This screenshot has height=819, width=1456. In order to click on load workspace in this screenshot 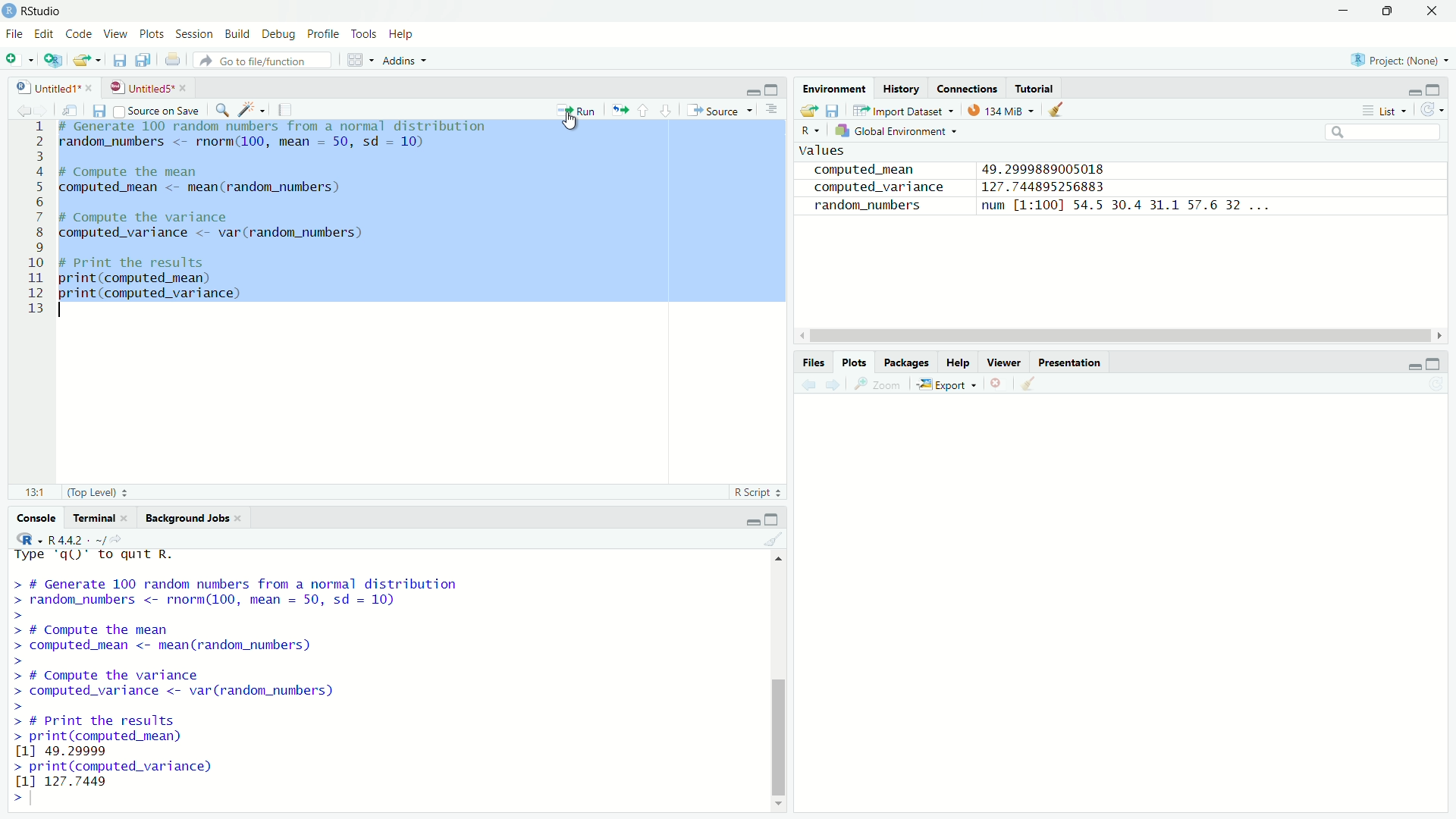, I will do `click(808, 110)`.